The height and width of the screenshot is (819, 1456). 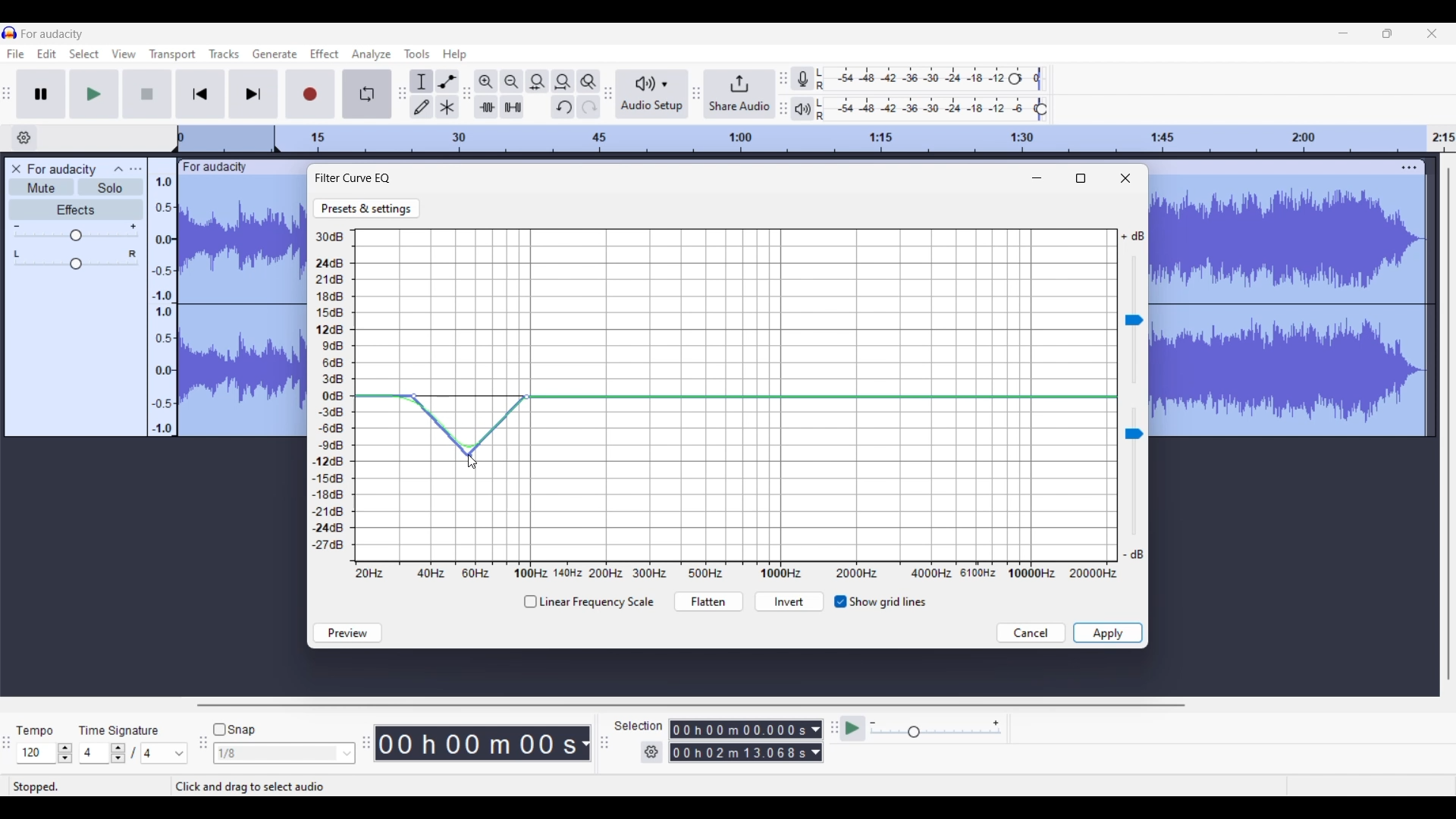 What do you see at coordinates (200, 94) in the screenshot?
I see `Skip/Select to start` at bounding box center [200, 94].